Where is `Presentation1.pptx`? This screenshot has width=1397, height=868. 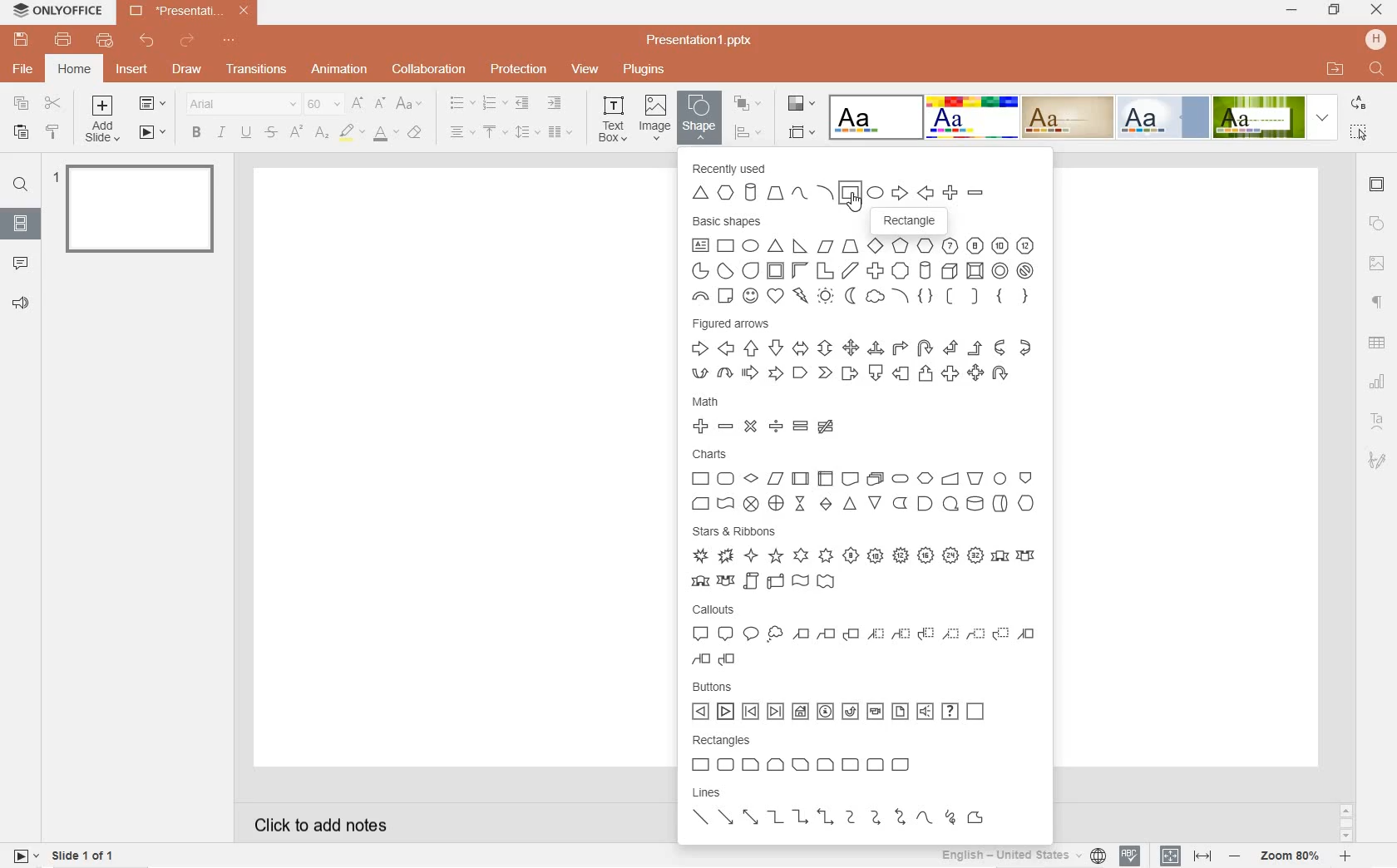
Presentation1.pptx is located at coordinates (702, 40).